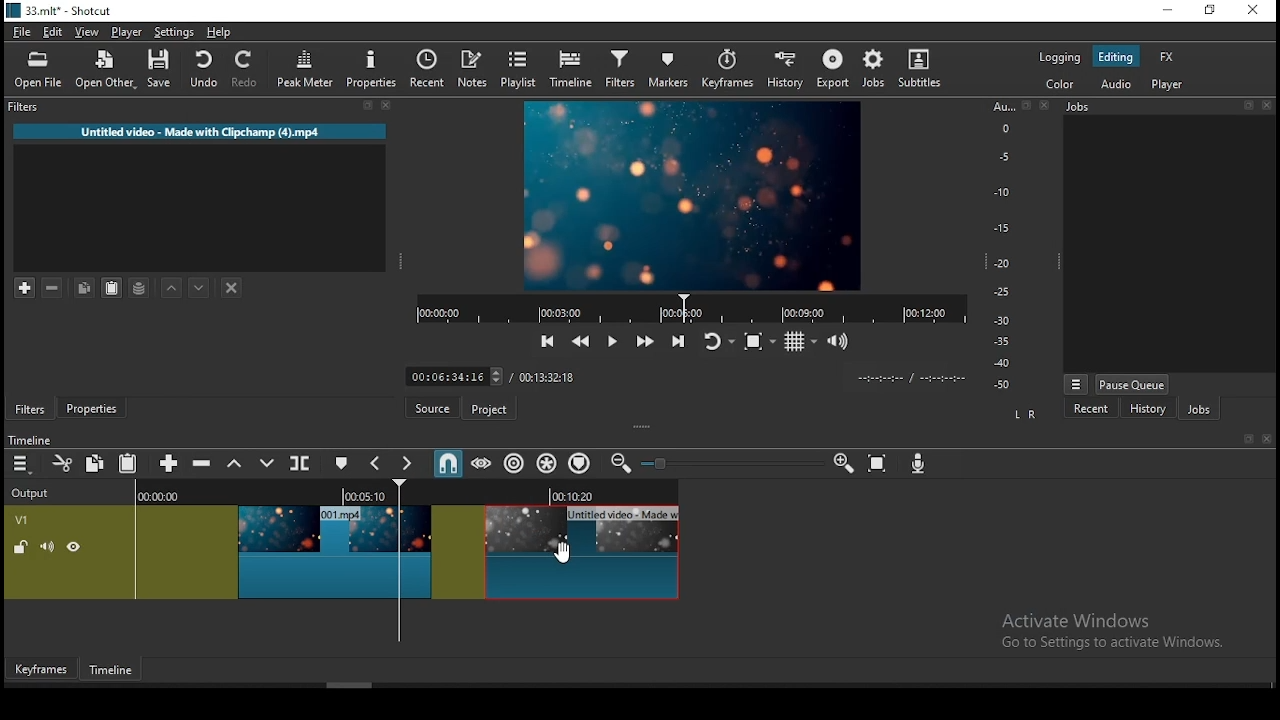 The height and width of the screenshot is (720, 1280). What do you see at coordinates (1146, 409) in the screenshot?
I see `history` at bounding box center [1146, 409].